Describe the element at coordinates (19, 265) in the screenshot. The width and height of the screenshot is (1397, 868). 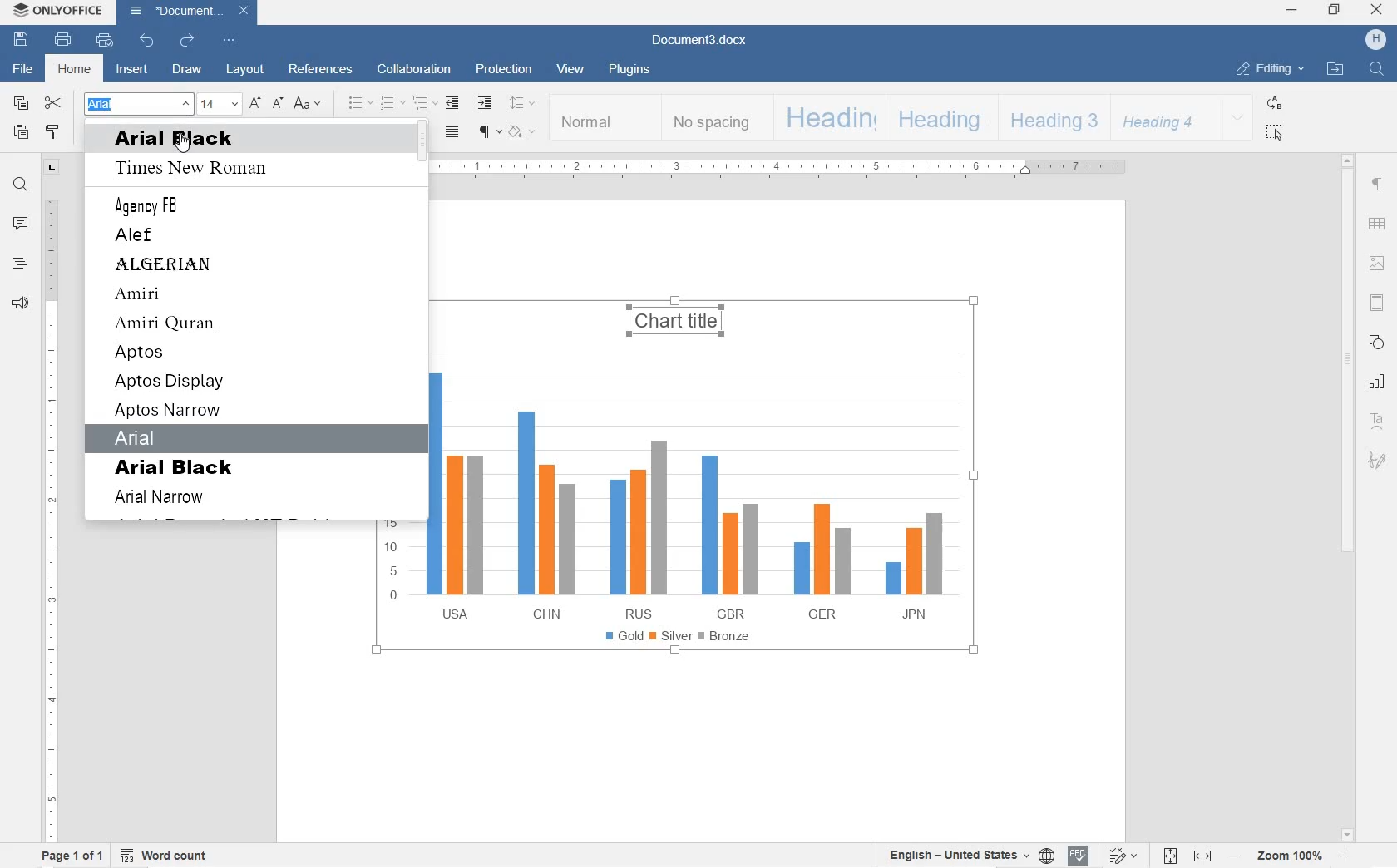
I see `HEADINGS` at that location.